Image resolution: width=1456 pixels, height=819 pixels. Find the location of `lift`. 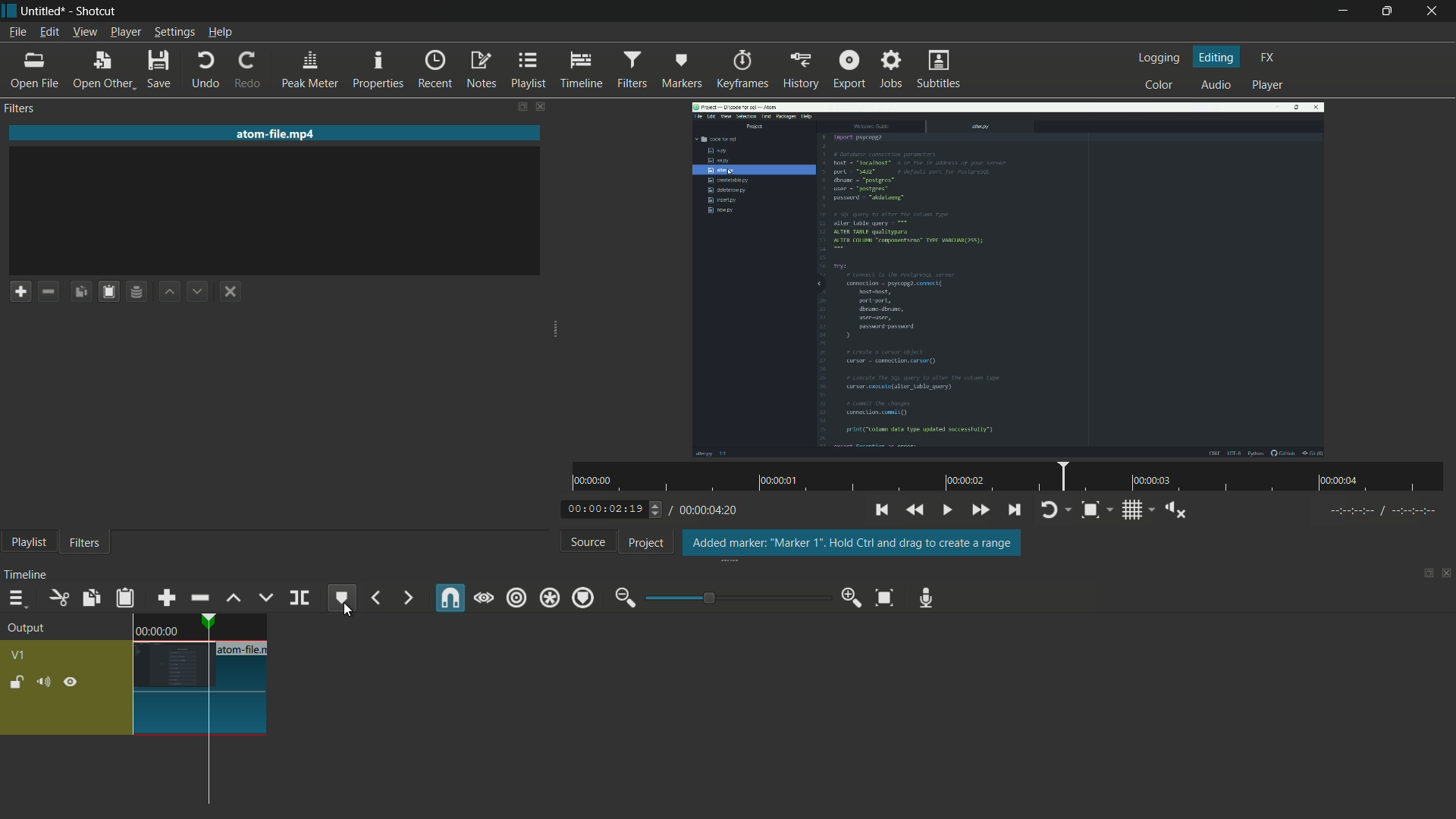

lift is located at coordinates (231, 598).